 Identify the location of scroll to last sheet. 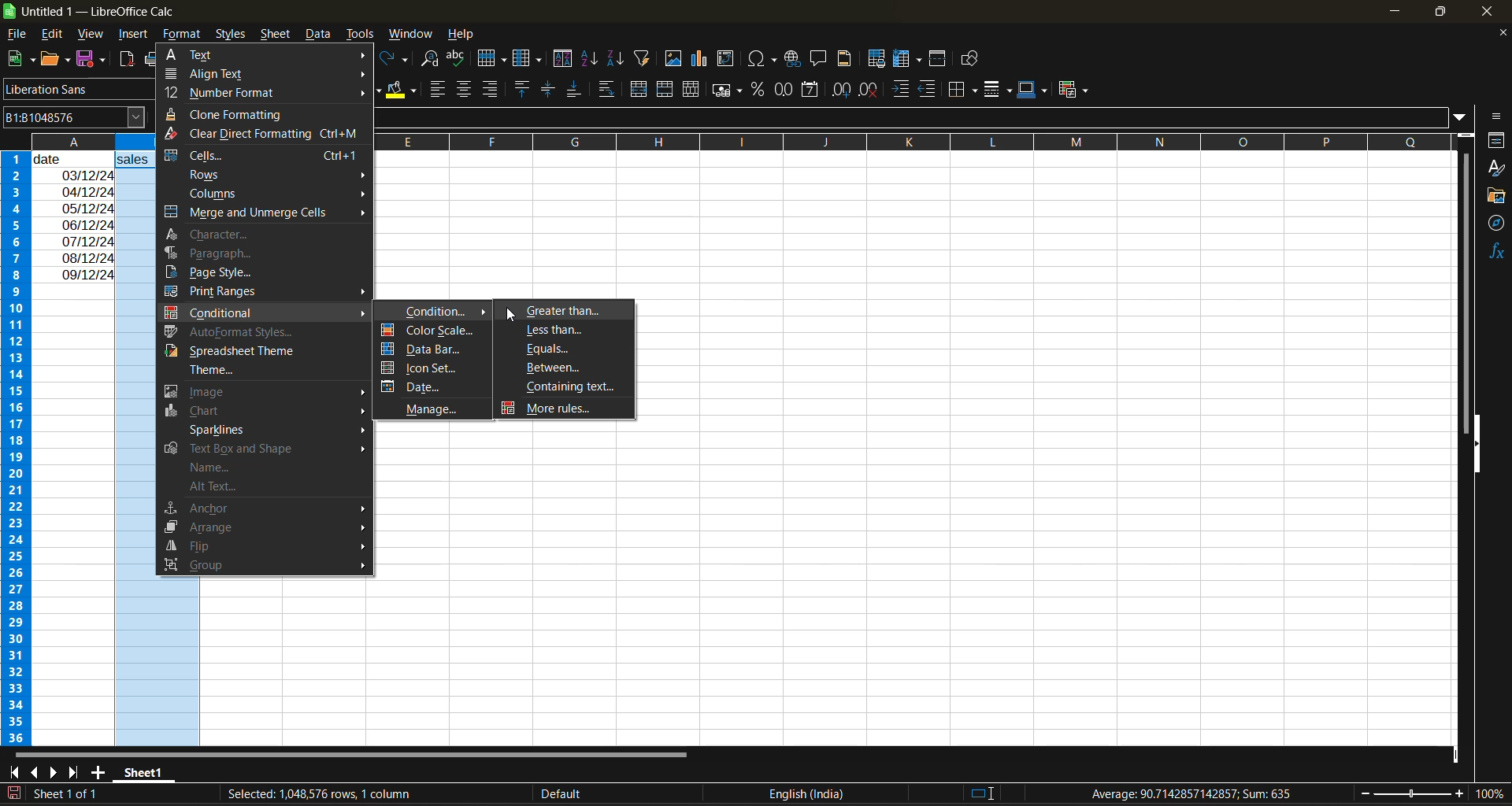
(80, 773).